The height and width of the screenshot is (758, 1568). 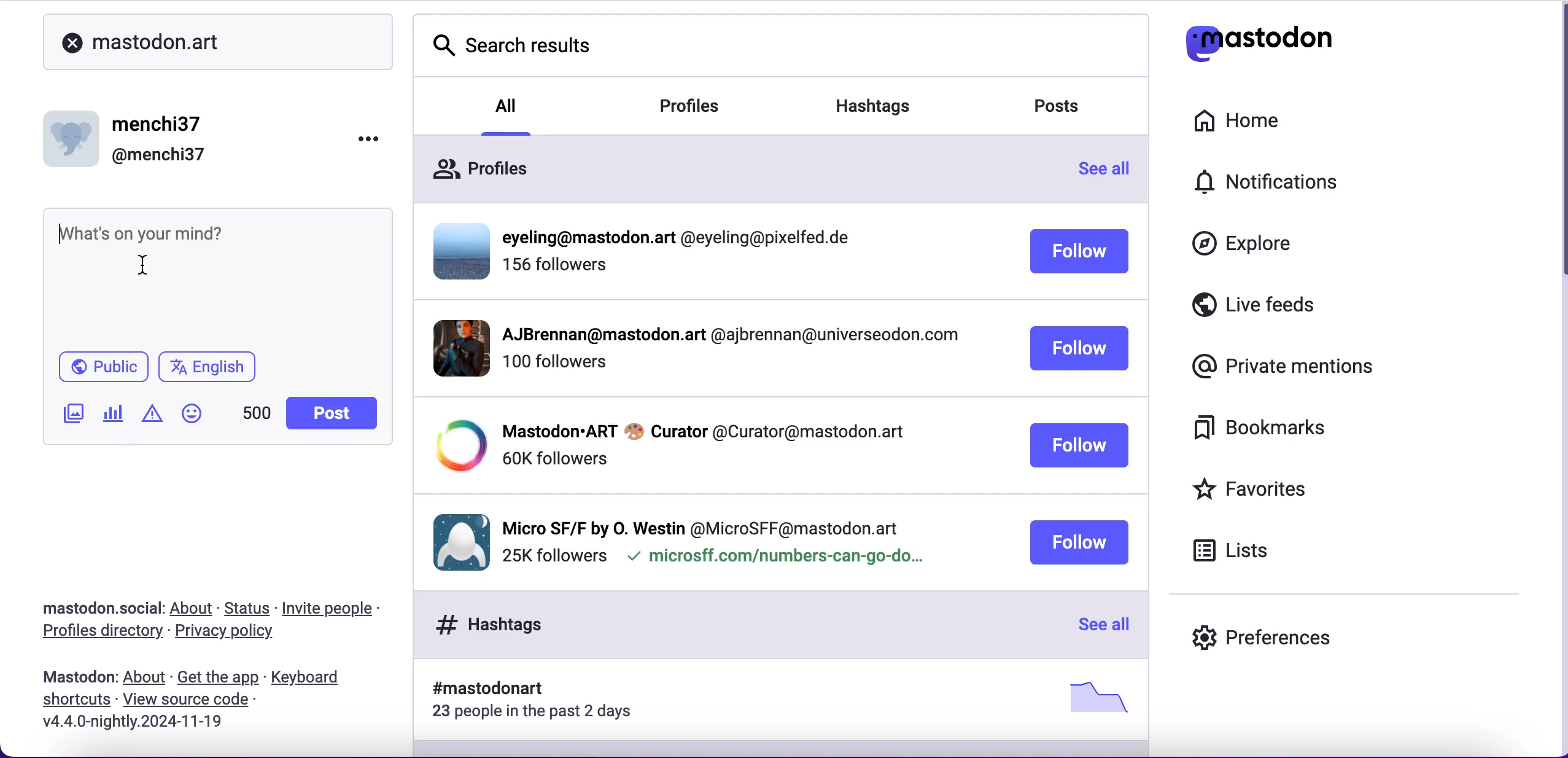 I want to click on microsff, so click(x=774, y=559).